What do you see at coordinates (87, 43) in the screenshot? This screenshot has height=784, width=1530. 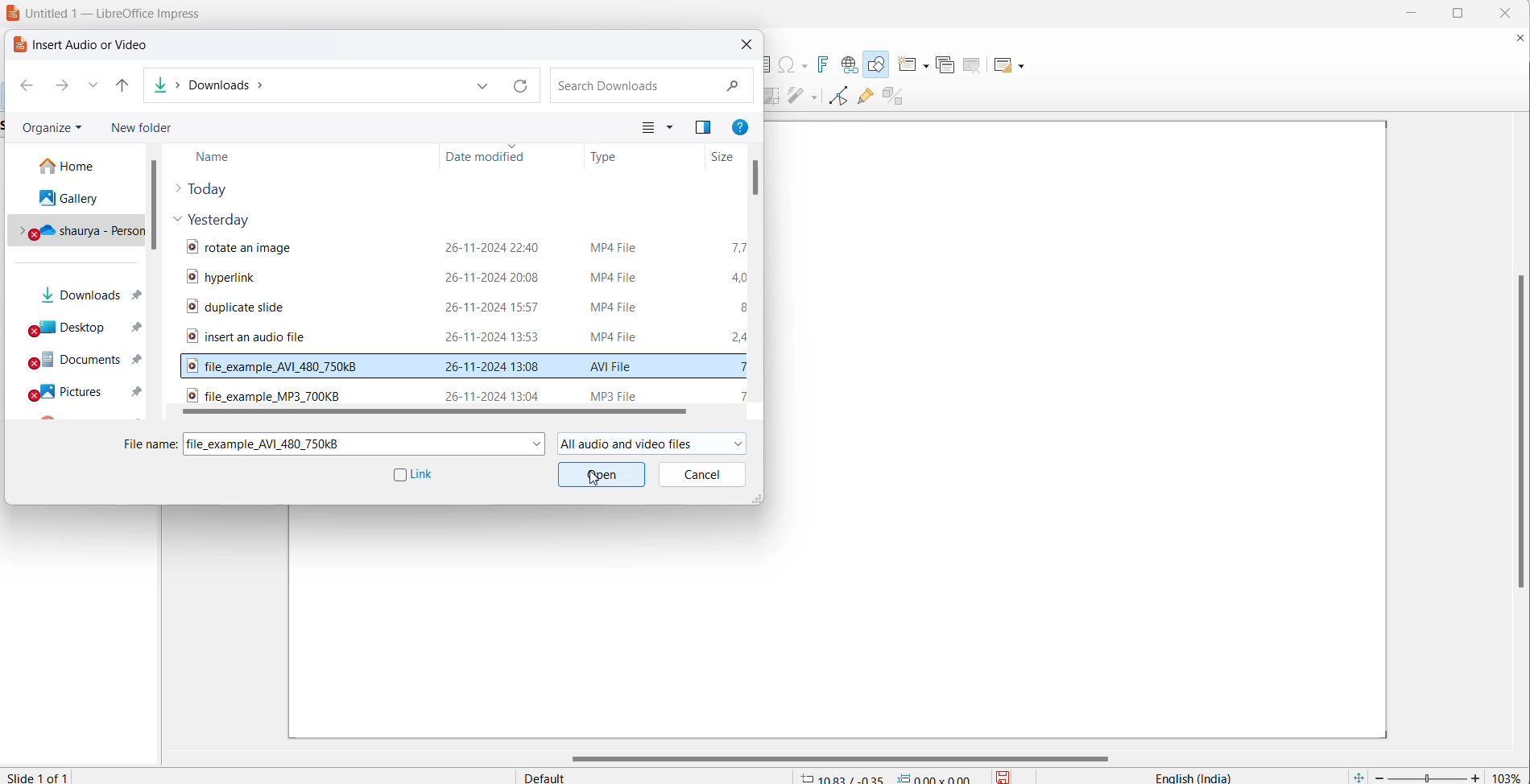 I see `dialog box title` at bounding box center [87, 43].